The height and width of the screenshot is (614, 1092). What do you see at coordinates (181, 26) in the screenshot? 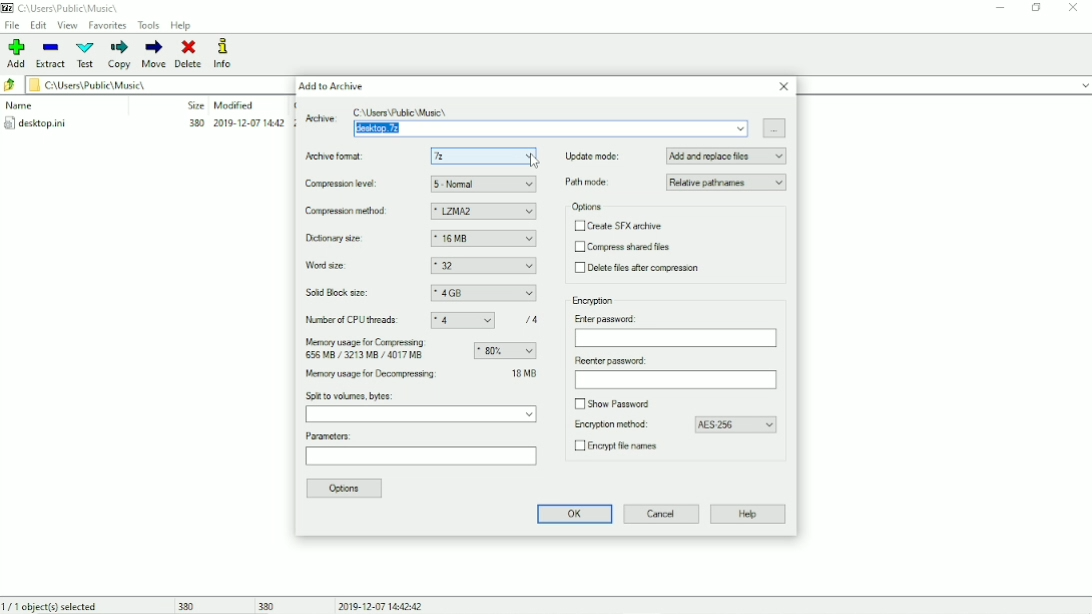
I see `Help` at bounding box center [181, 26].